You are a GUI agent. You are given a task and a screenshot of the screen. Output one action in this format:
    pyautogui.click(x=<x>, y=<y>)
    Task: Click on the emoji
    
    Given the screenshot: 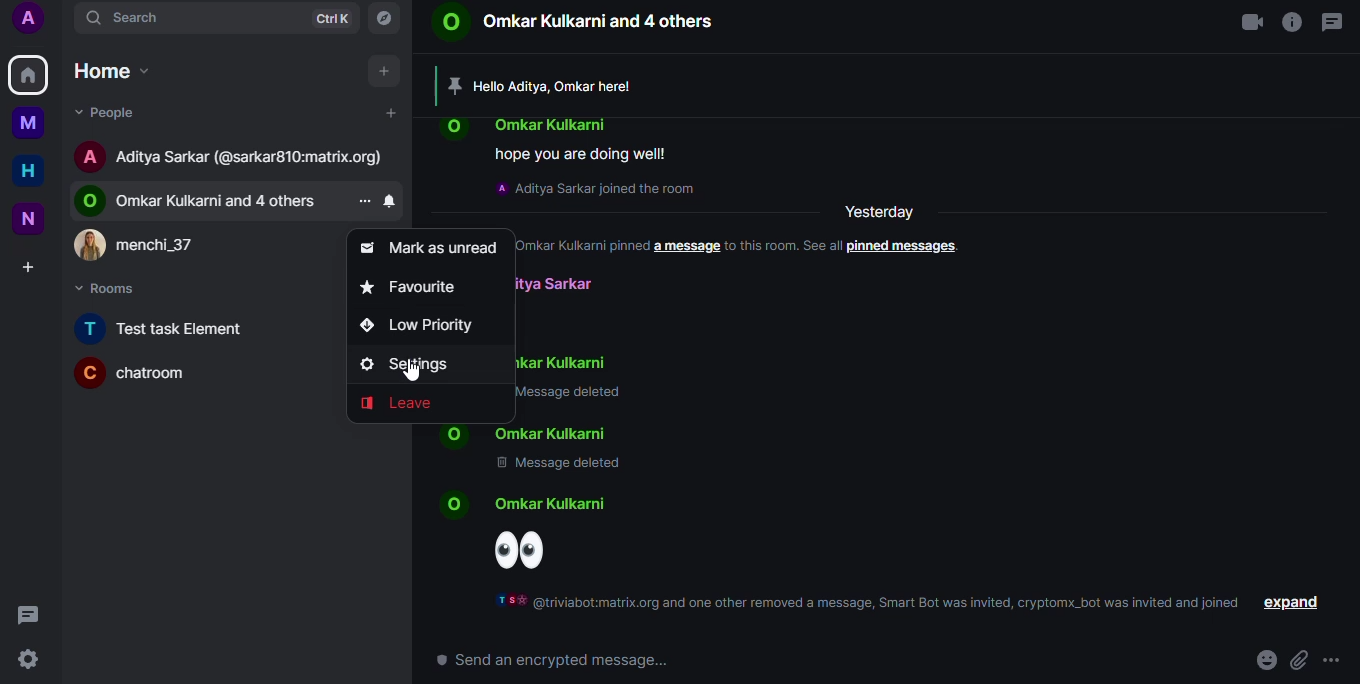 What is the action you would take?
    pyautogui.click(x=1266, y=658)
    